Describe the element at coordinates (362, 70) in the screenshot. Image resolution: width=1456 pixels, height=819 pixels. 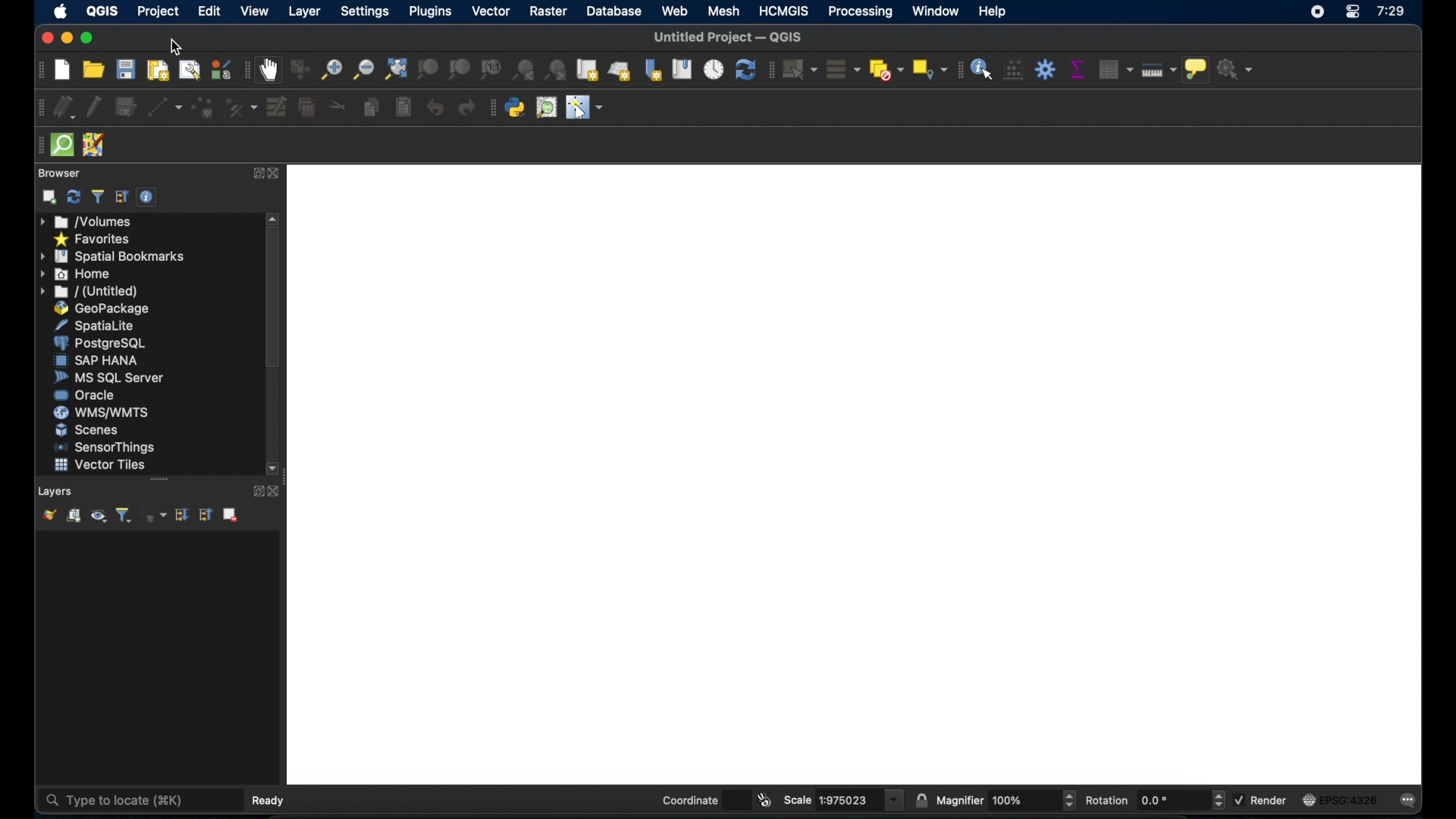
I see `zoom out` at that location.